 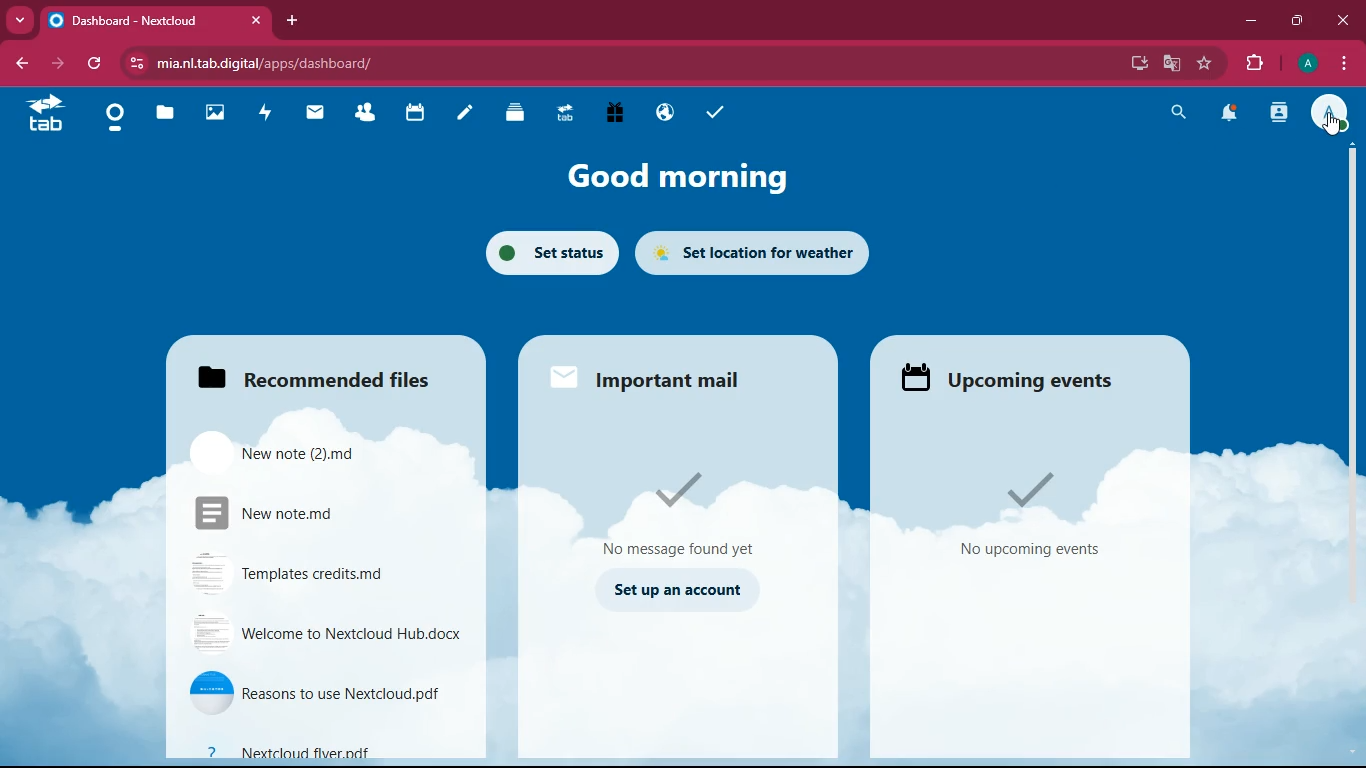 I want to click on google translate, so click(x=1170, y=64).